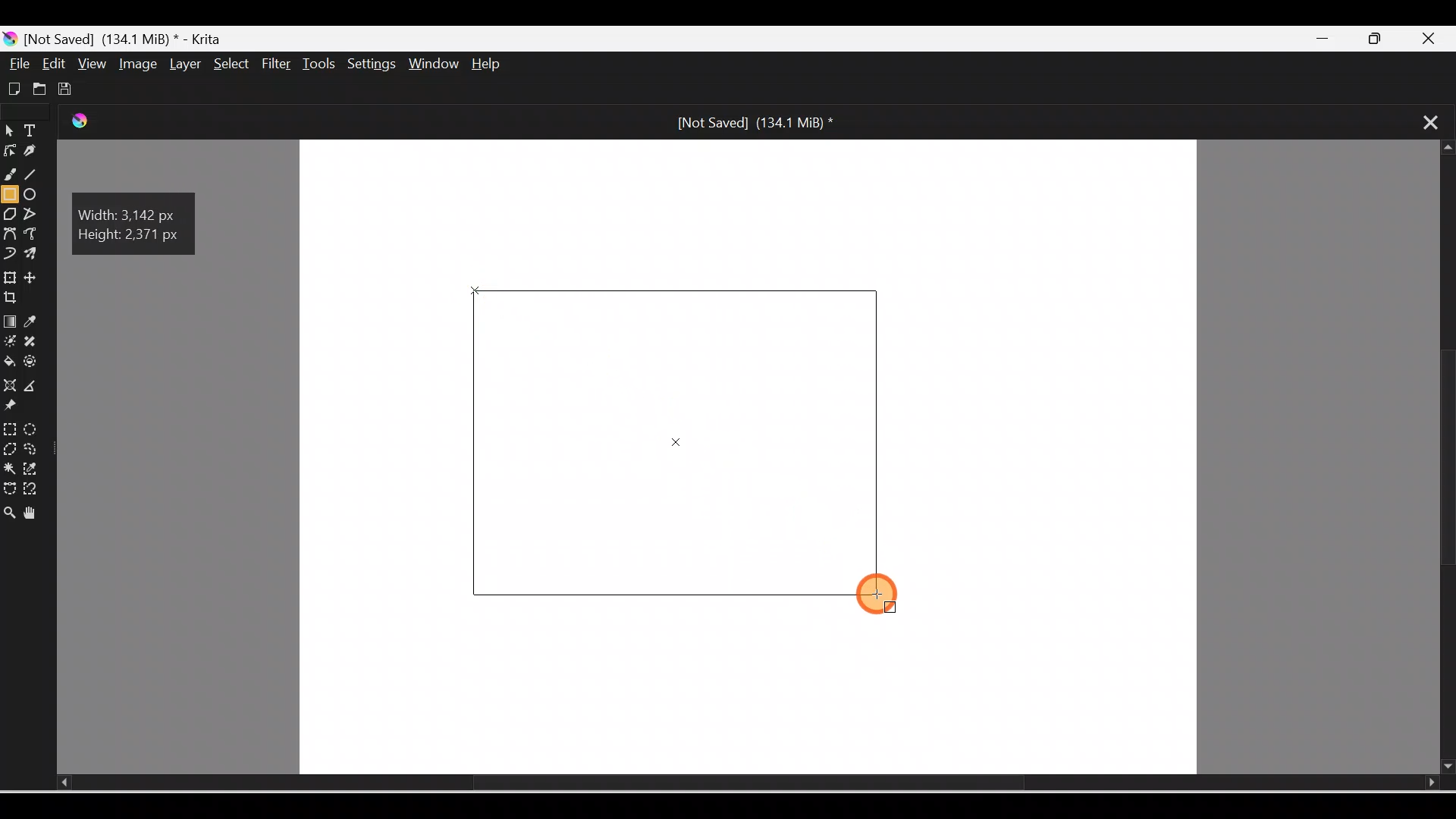  What do you see at coordinates (37, 89) in the screenshot?
I see `Open existing document` at bounding box center [37, 89].